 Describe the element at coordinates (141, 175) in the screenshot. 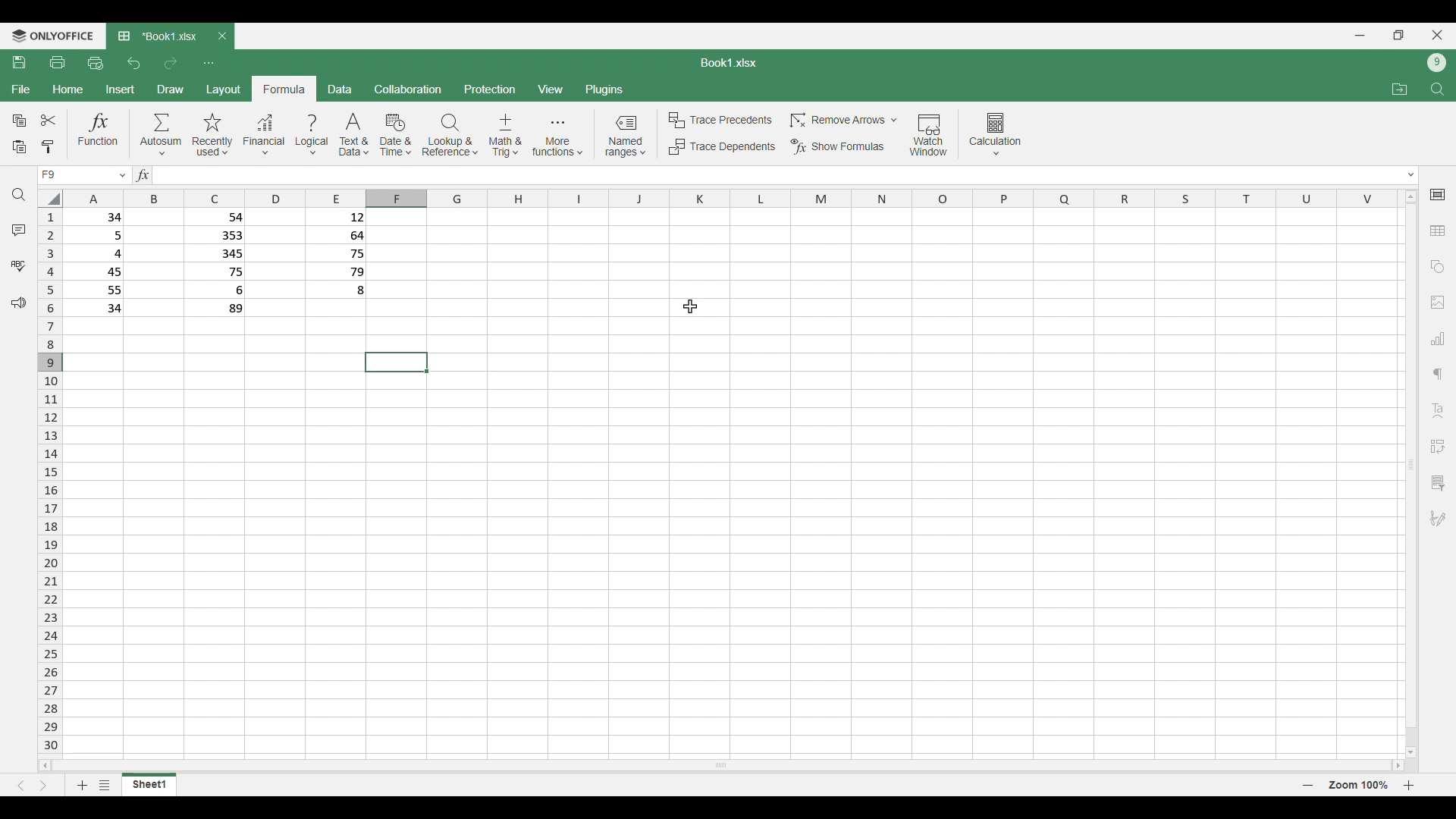

I see `Indicates text box for equations ` at that location.